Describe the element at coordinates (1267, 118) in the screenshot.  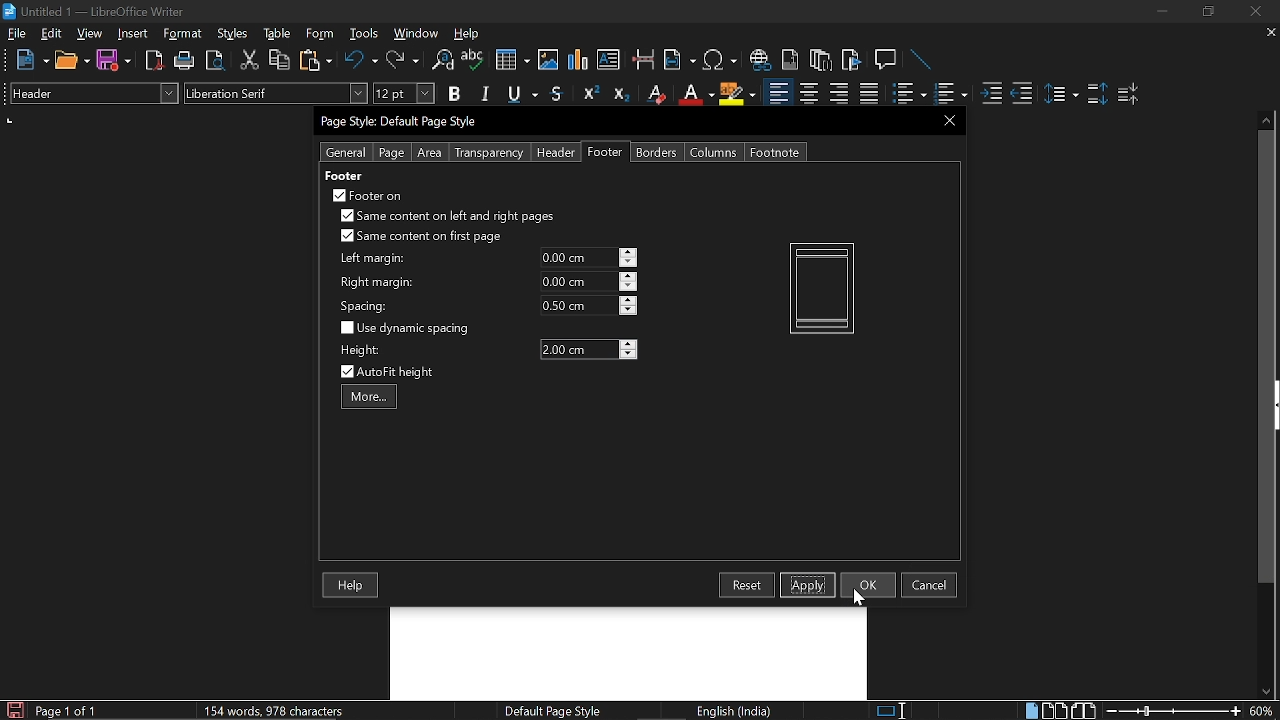
I see `Move up` at that location.